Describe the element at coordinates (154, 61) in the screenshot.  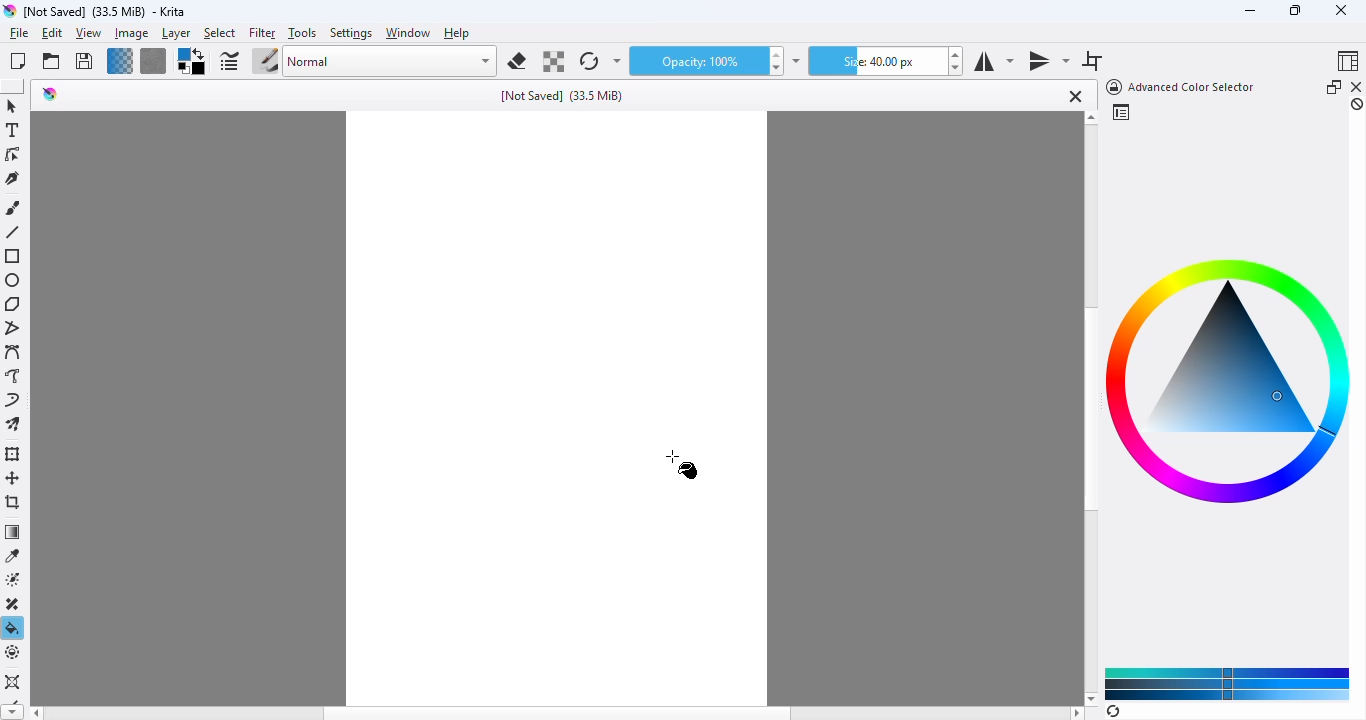
I see `fill patterns` at that location.